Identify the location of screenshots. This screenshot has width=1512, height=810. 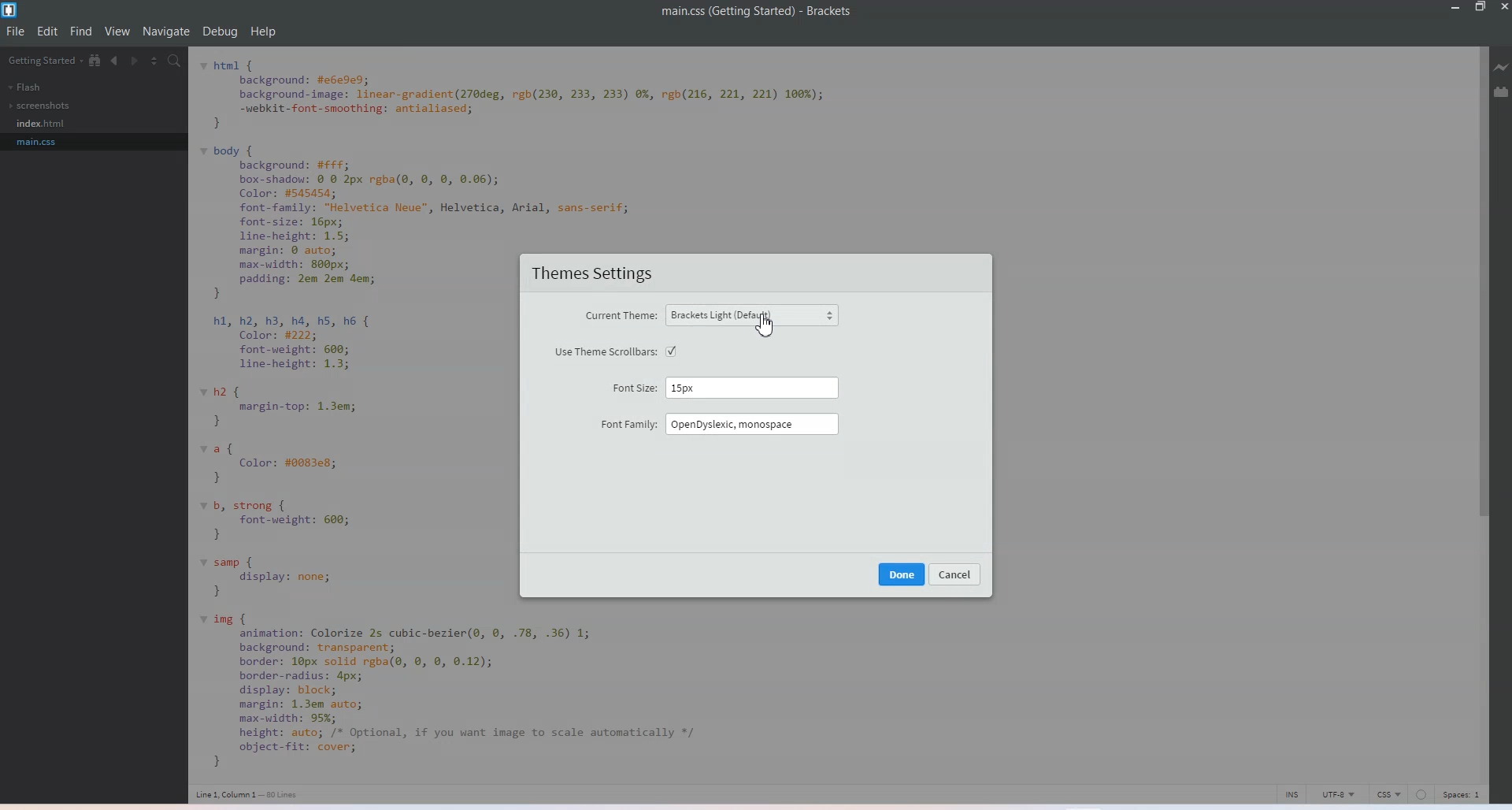
(42, 106).